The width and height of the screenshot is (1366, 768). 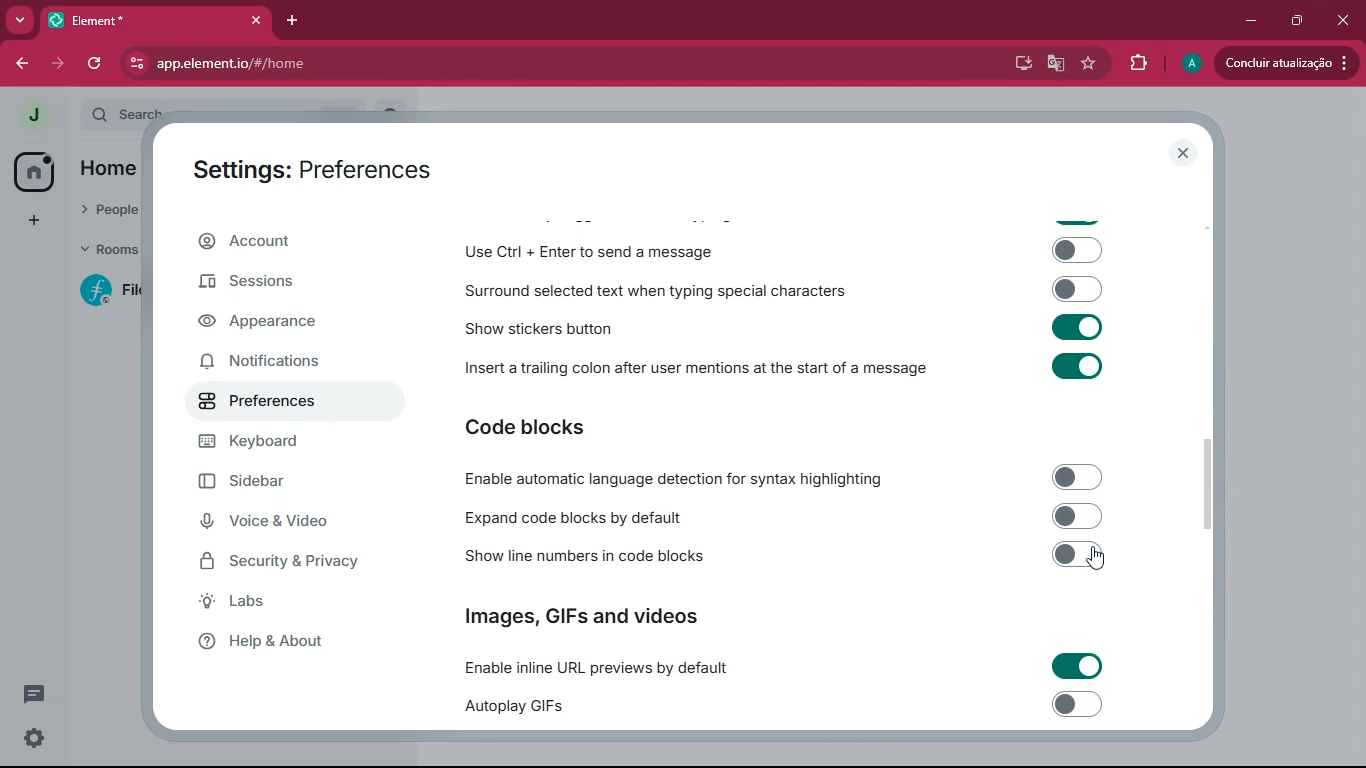 What do you see at coordinates (1100, 560) in the screenshot?
I see `cursor ` at bounding box center [1100, 560].